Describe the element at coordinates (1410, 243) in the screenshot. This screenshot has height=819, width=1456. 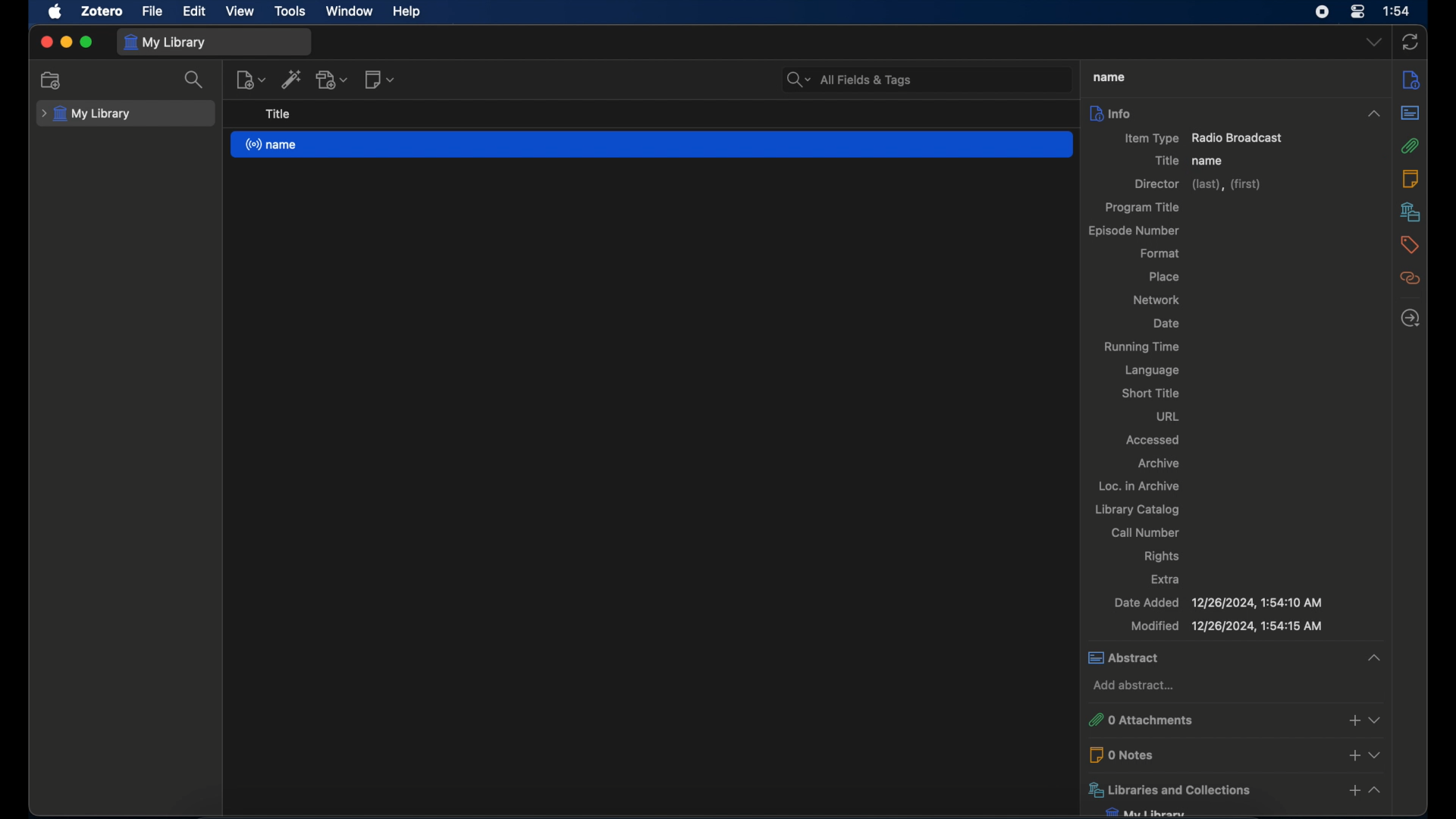
I see `tags` at that location.